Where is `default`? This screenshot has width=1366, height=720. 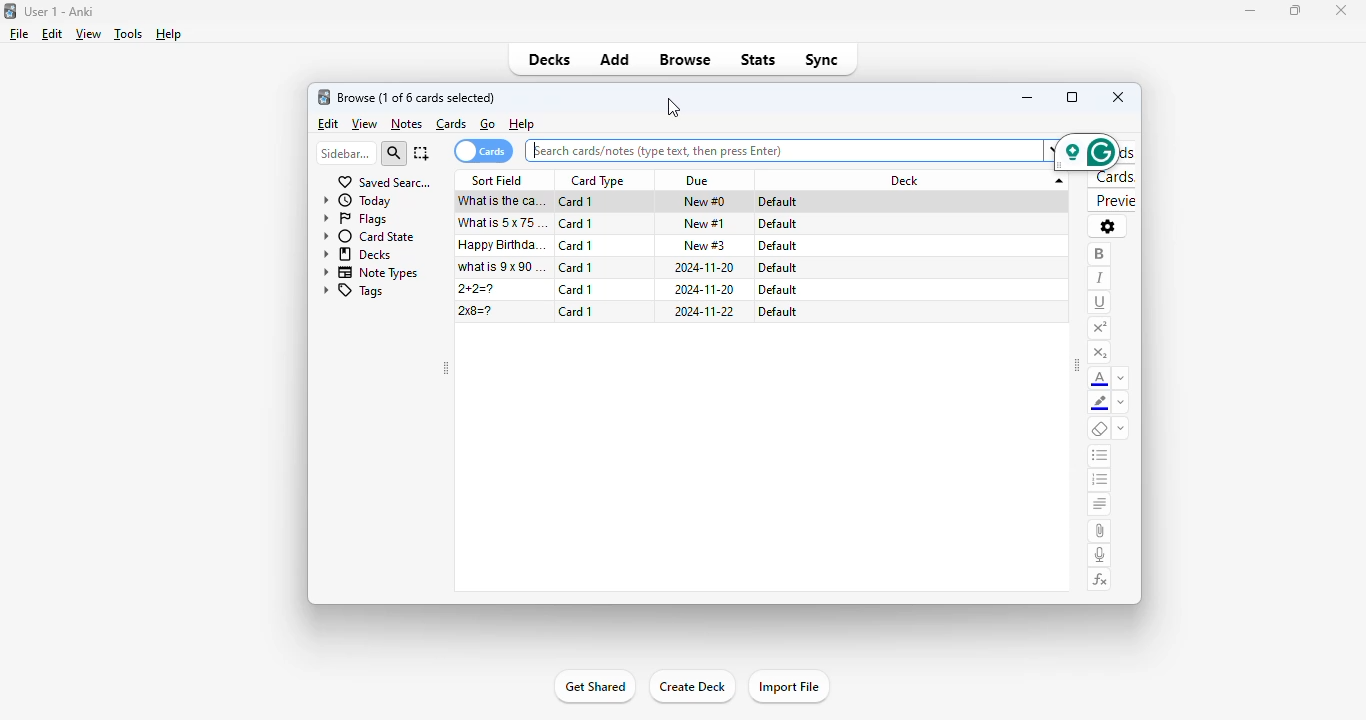
default is located at coordinates (778, 312).